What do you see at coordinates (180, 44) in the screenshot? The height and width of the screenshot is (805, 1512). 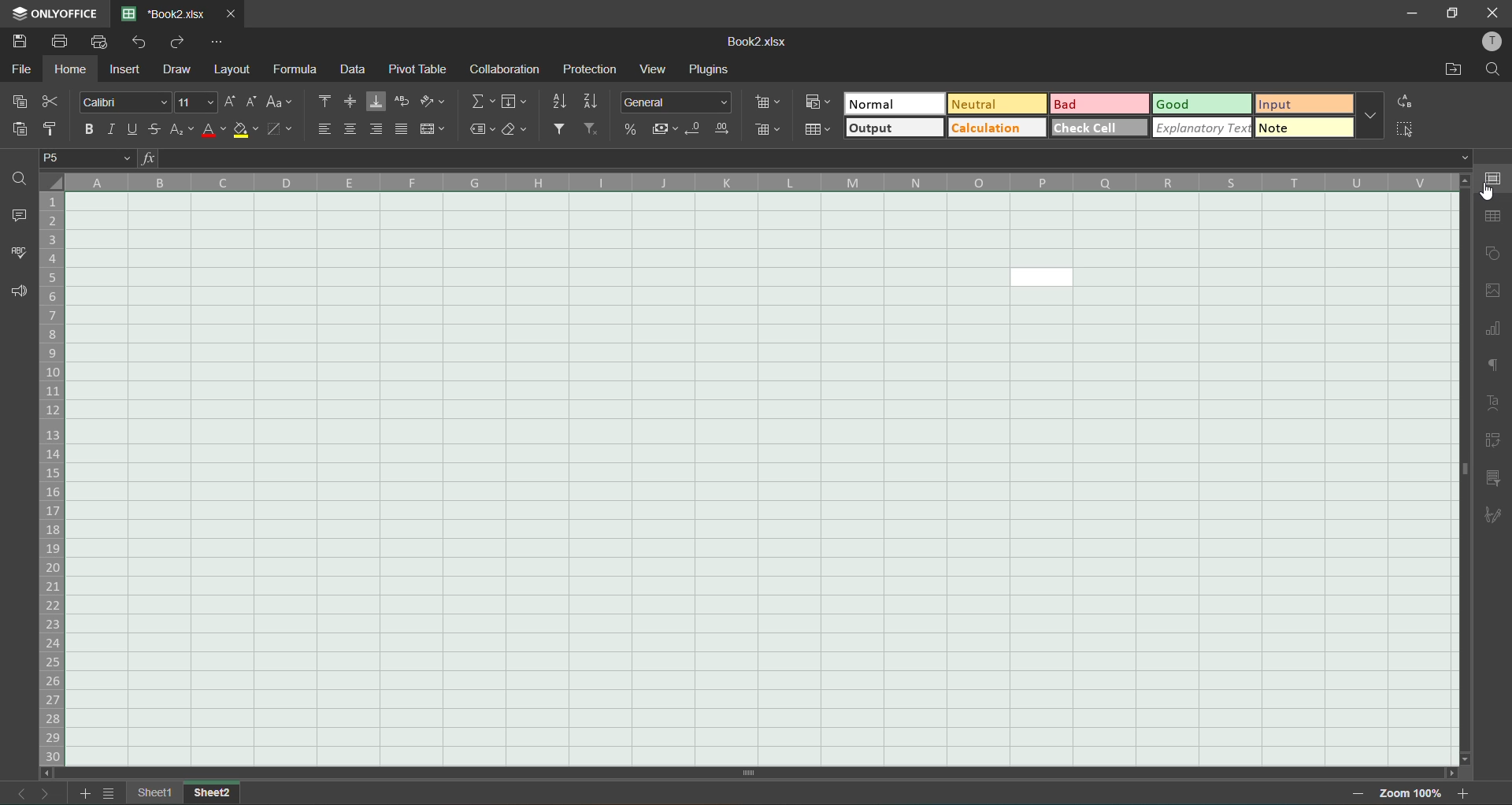 I see `redo` at bounding box center [180, 44].